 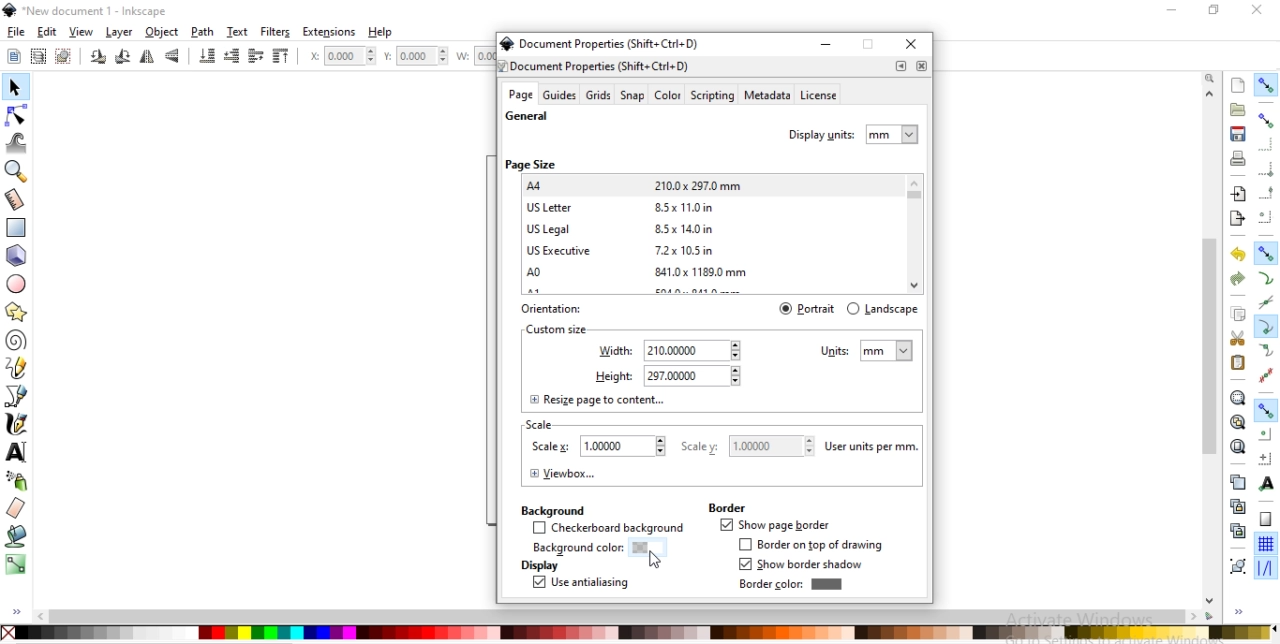 I want to click on license, so click(x=820, y=97).